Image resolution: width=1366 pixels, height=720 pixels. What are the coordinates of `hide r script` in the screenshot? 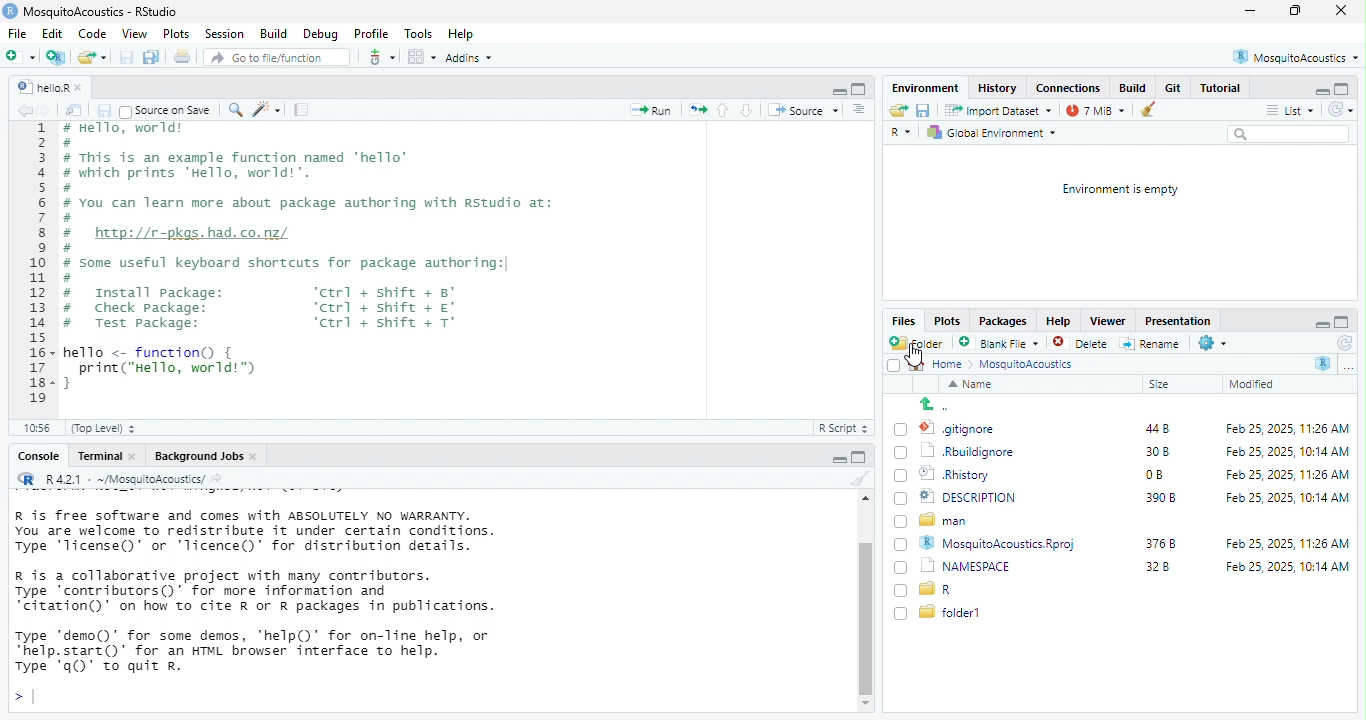 It's located at (1322, 90).